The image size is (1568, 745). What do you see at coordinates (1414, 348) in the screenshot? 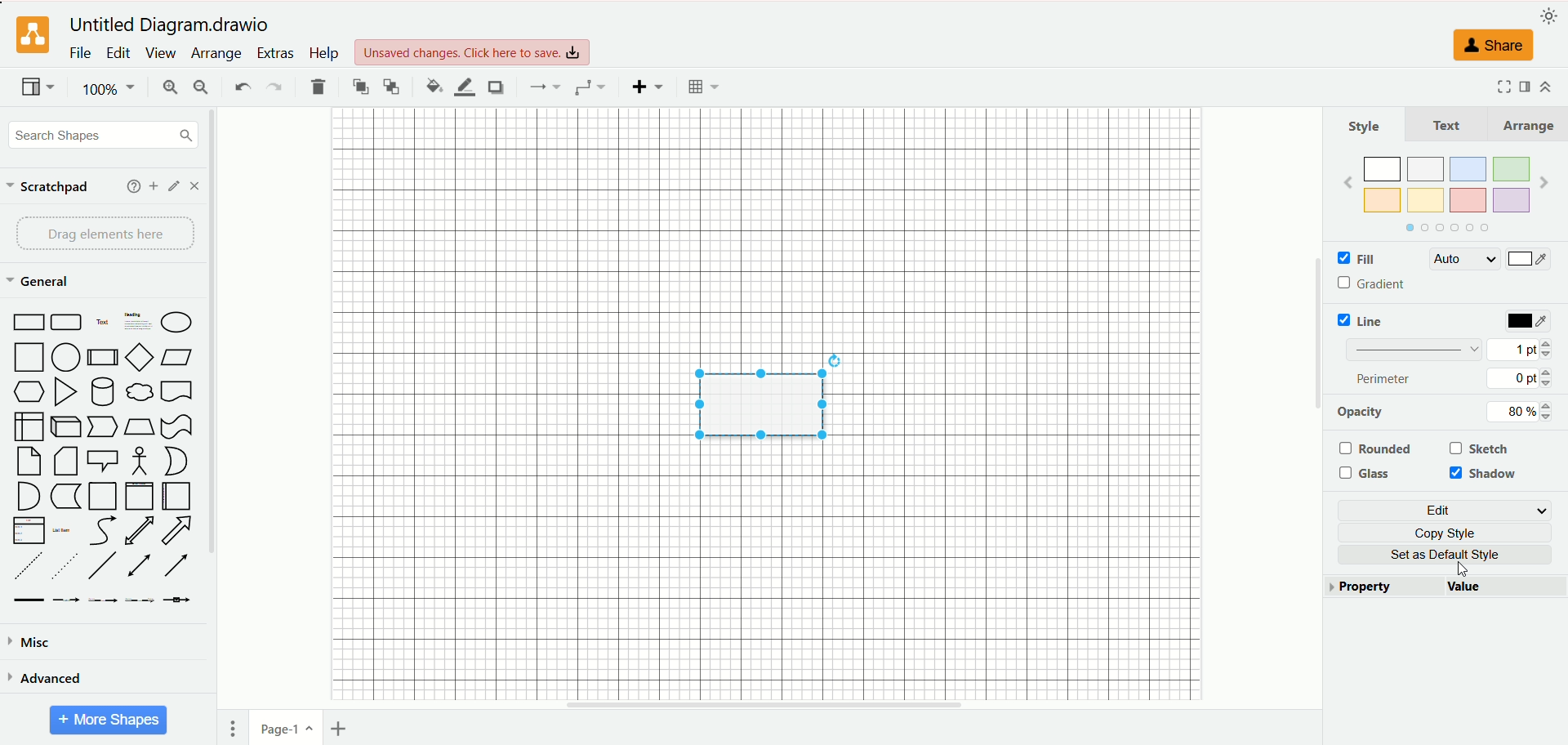
I see `pattern` at bounding box center [1414, 348].